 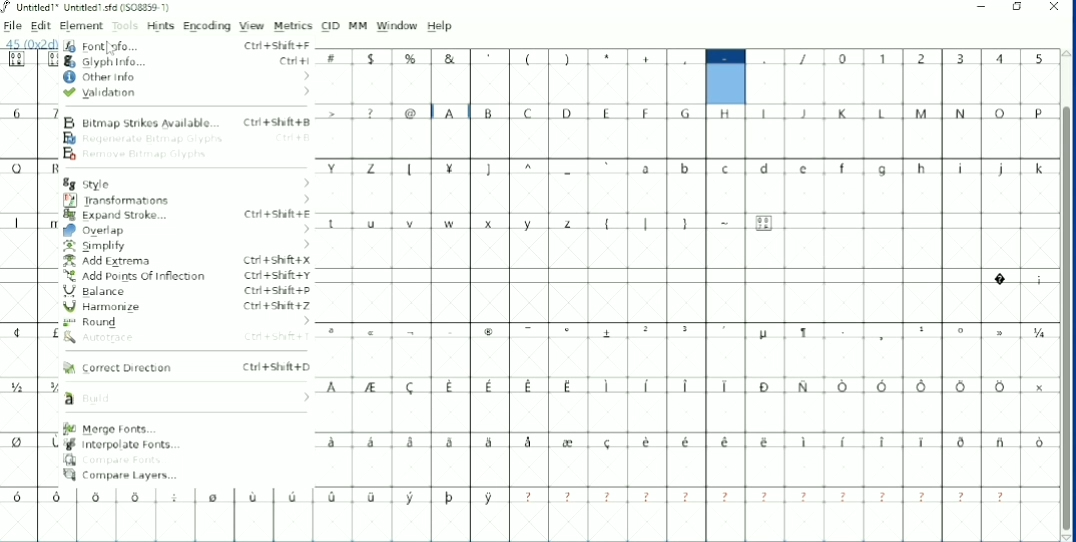 What do you see at coordinates (570, 60) in the screenshot?
I see `Symbols` at bounding box center [570, 60].